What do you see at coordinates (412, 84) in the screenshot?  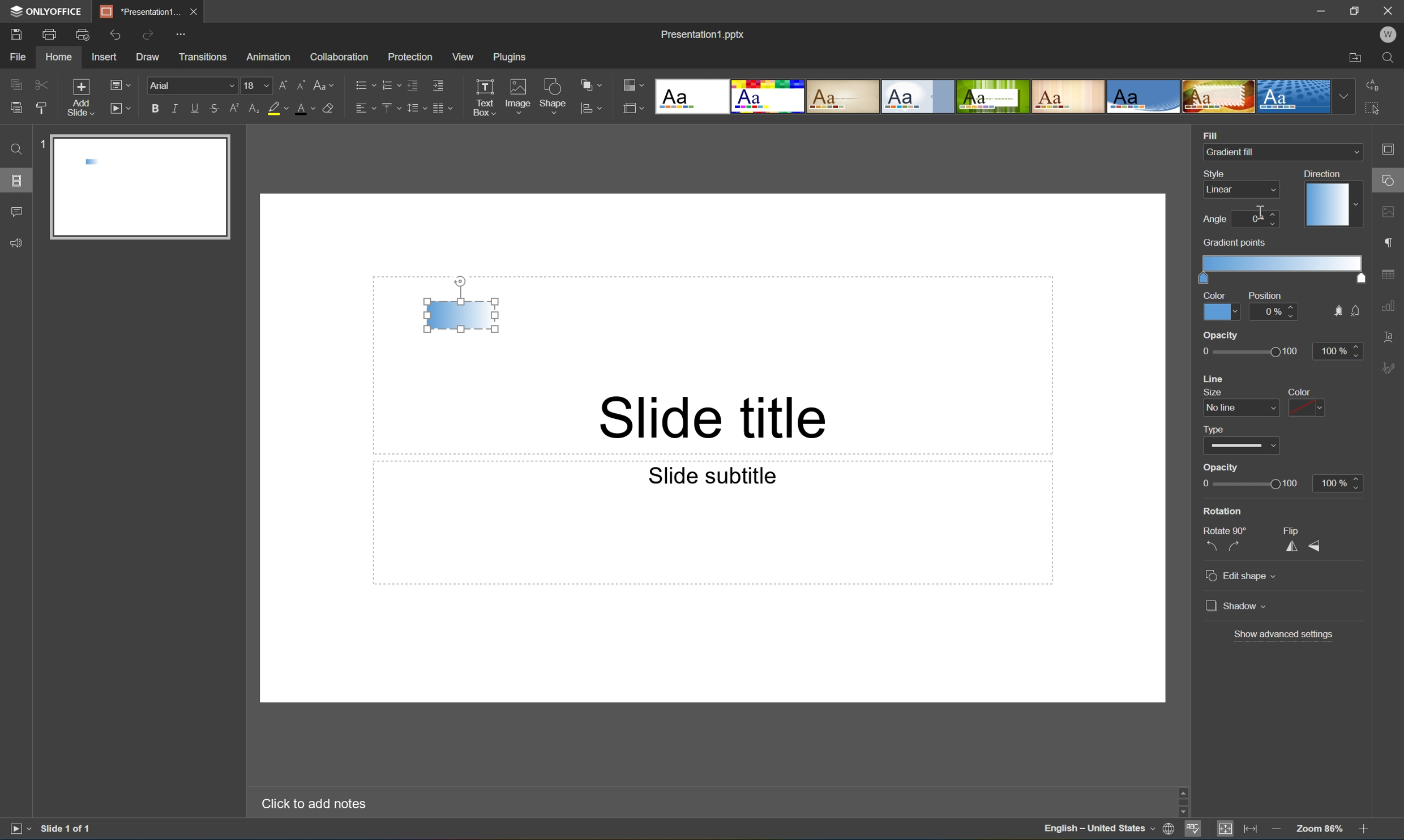 I see `Decrease indent` at bounding box center [412, 84].